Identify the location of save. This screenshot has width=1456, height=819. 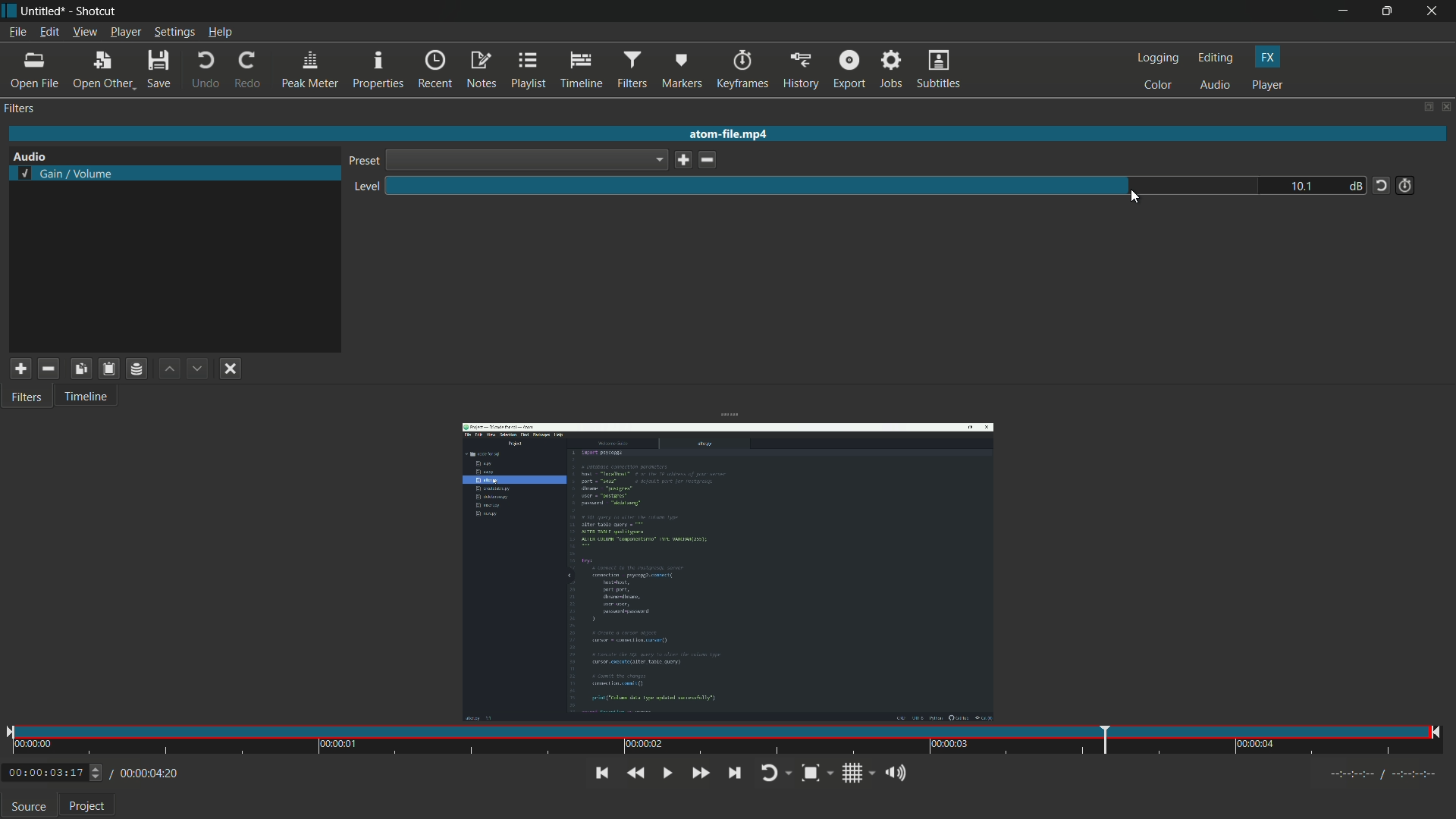
(158, 71).